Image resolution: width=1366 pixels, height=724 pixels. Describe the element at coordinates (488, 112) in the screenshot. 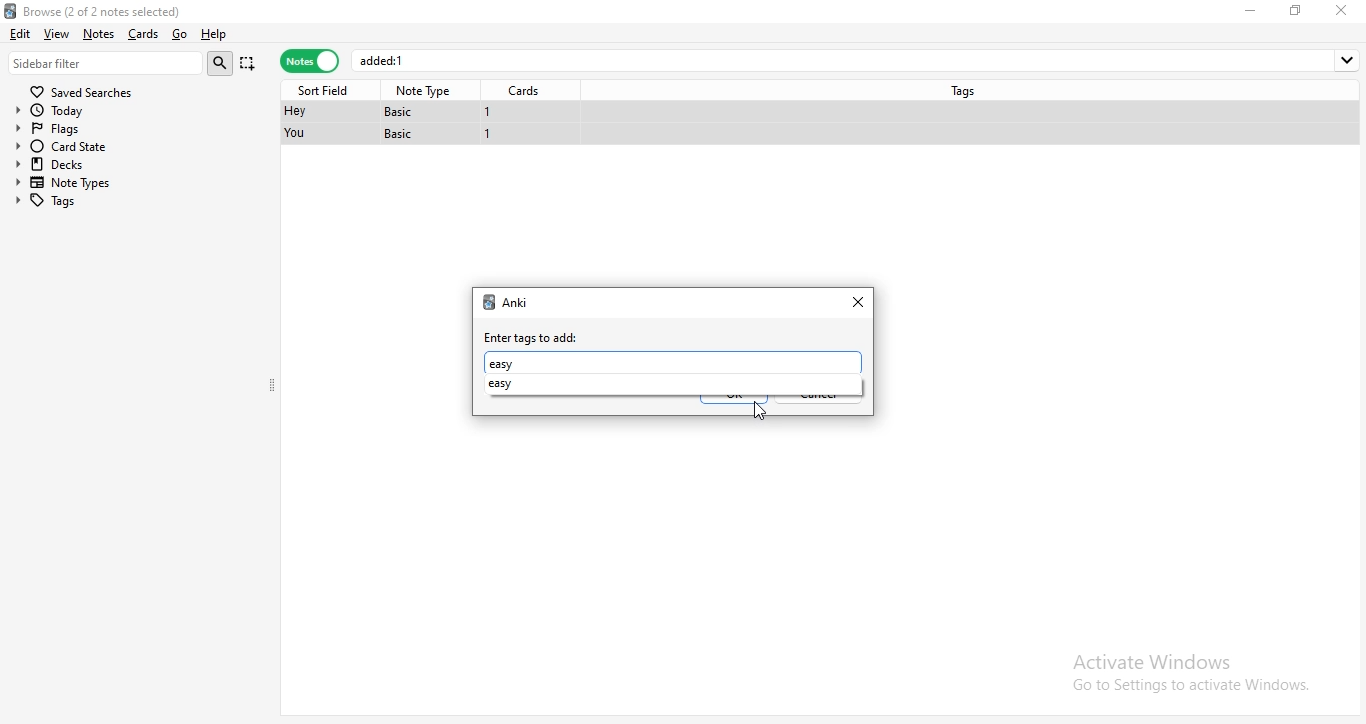

I see `1` at that location.